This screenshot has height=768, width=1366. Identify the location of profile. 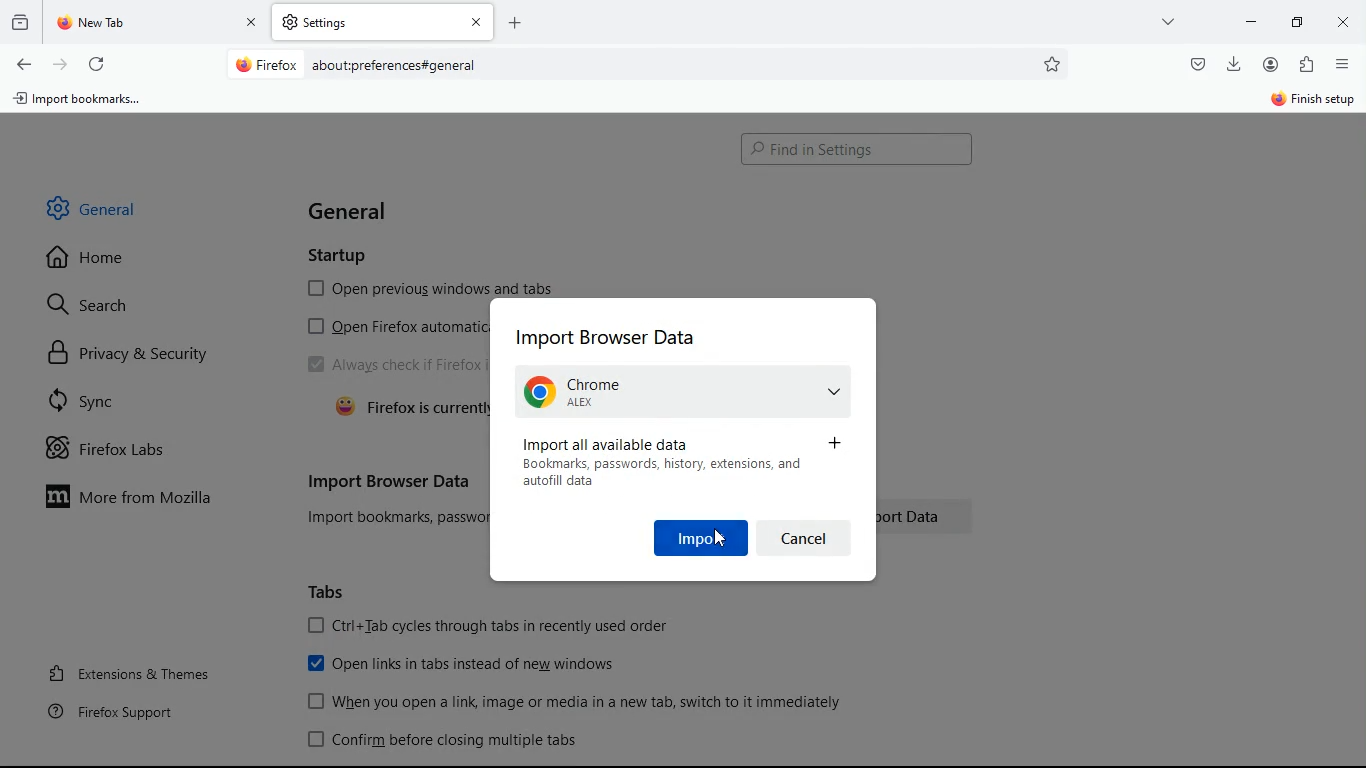
(1270, 64).